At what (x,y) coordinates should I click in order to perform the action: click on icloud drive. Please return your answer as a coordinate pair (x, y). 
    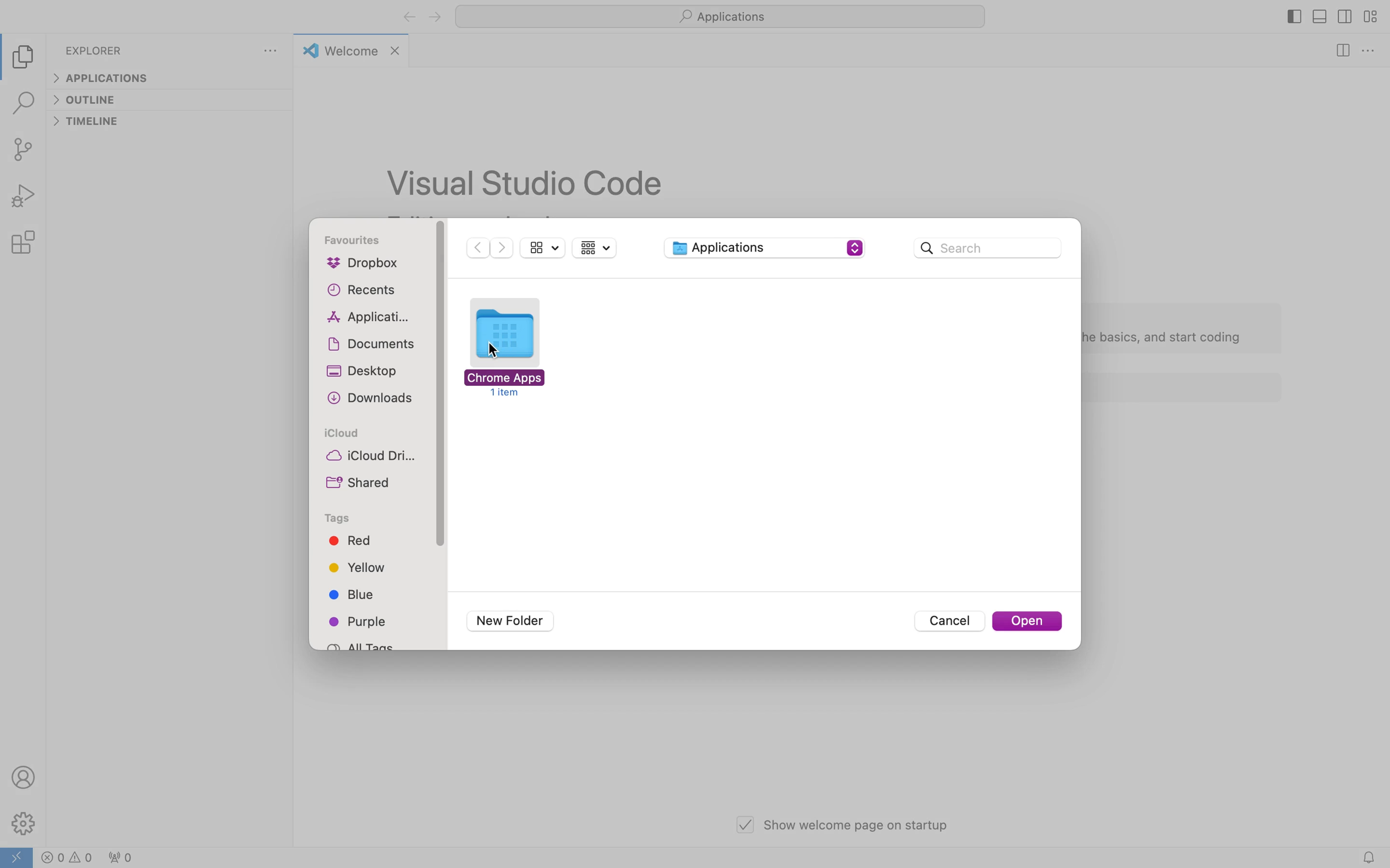
    Looking at the image, I should click on (373, 458).